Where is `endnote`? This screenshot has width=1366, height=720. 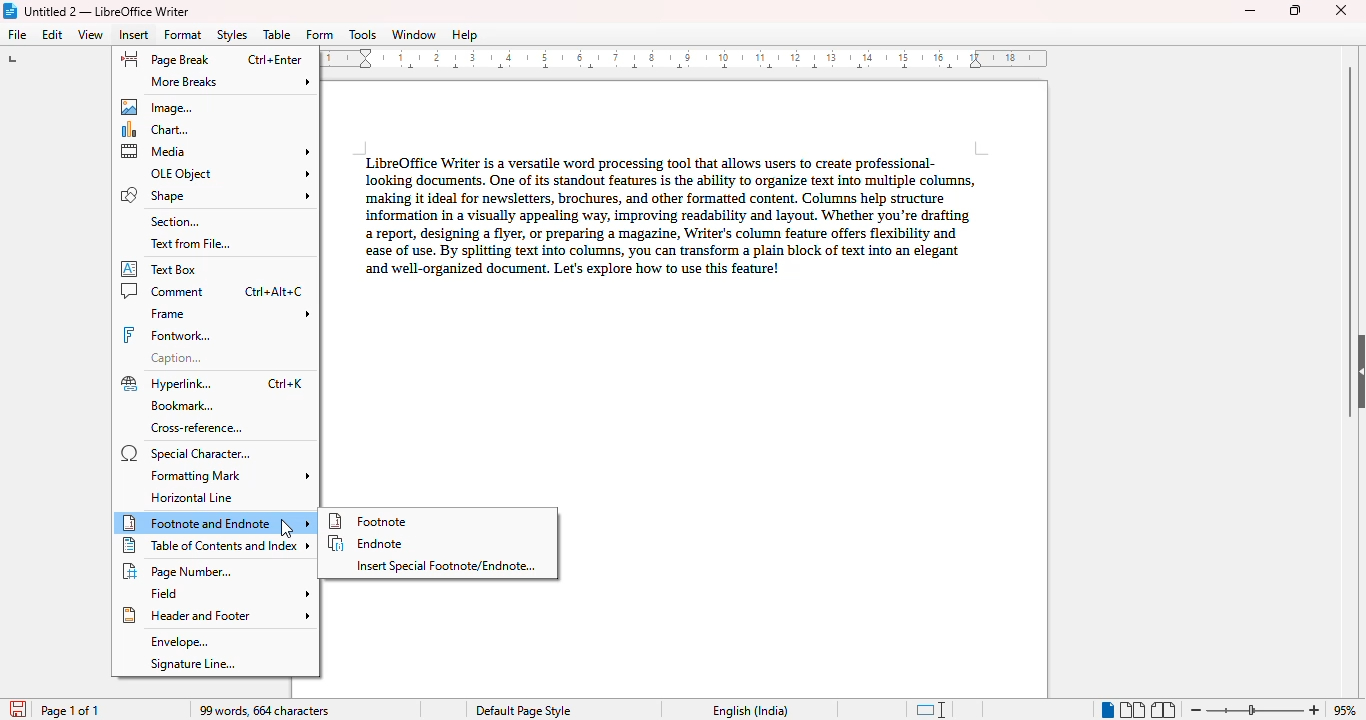 endnote is located at coordinates (367, 543).